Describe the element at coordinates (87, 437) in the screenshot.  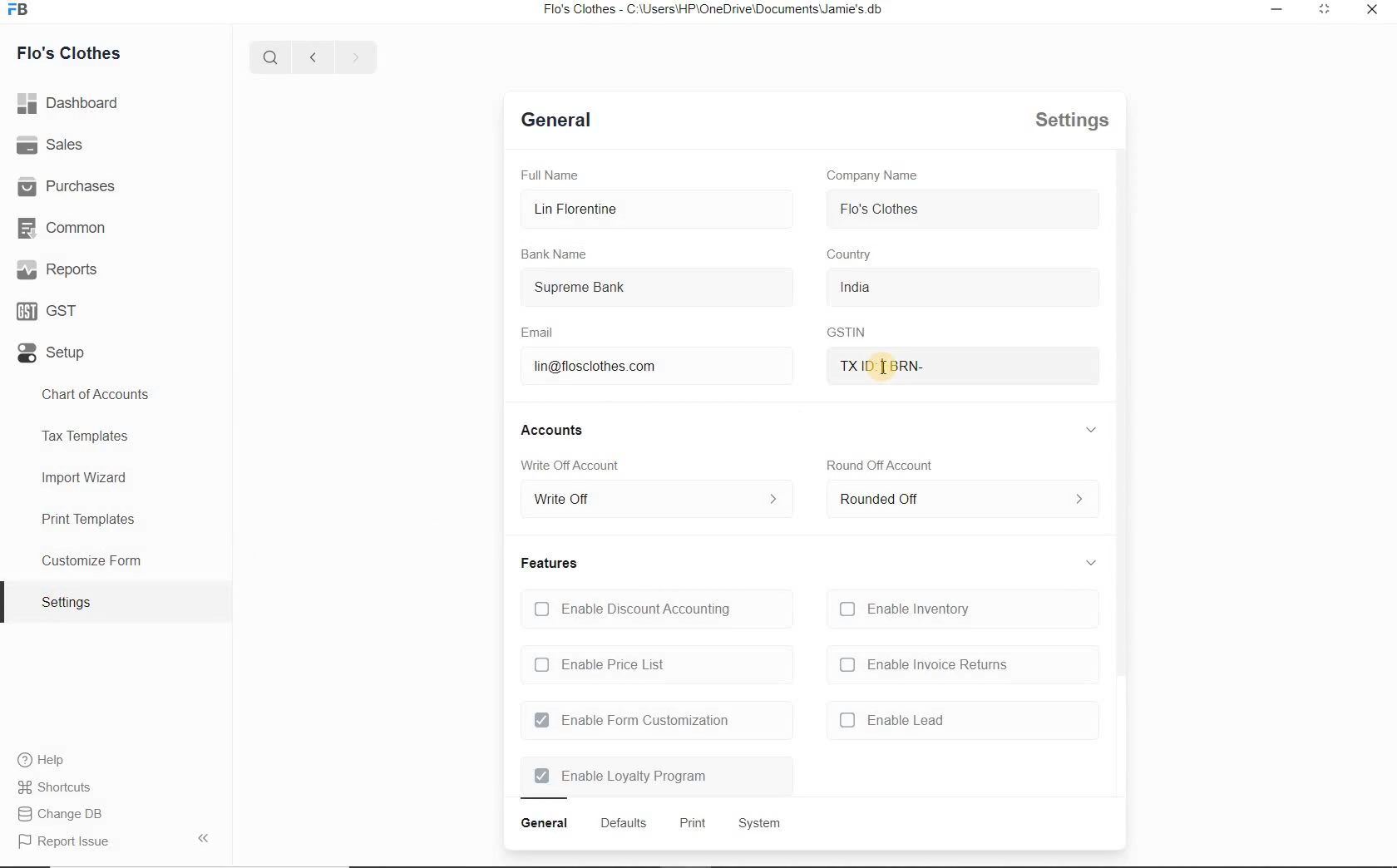
I see `Tax Templates` at that location.